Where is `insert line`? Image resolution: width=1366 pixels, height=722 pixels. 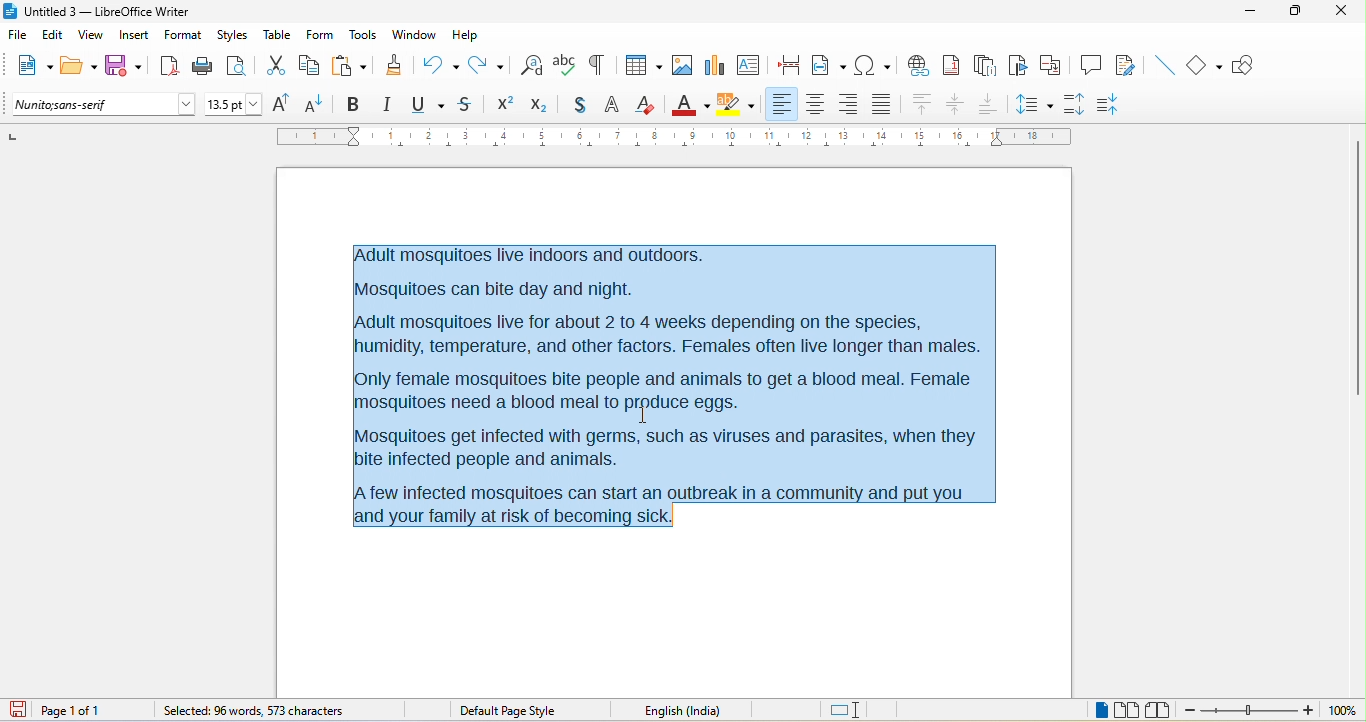 insert line is located at coordinates (1163, 64).